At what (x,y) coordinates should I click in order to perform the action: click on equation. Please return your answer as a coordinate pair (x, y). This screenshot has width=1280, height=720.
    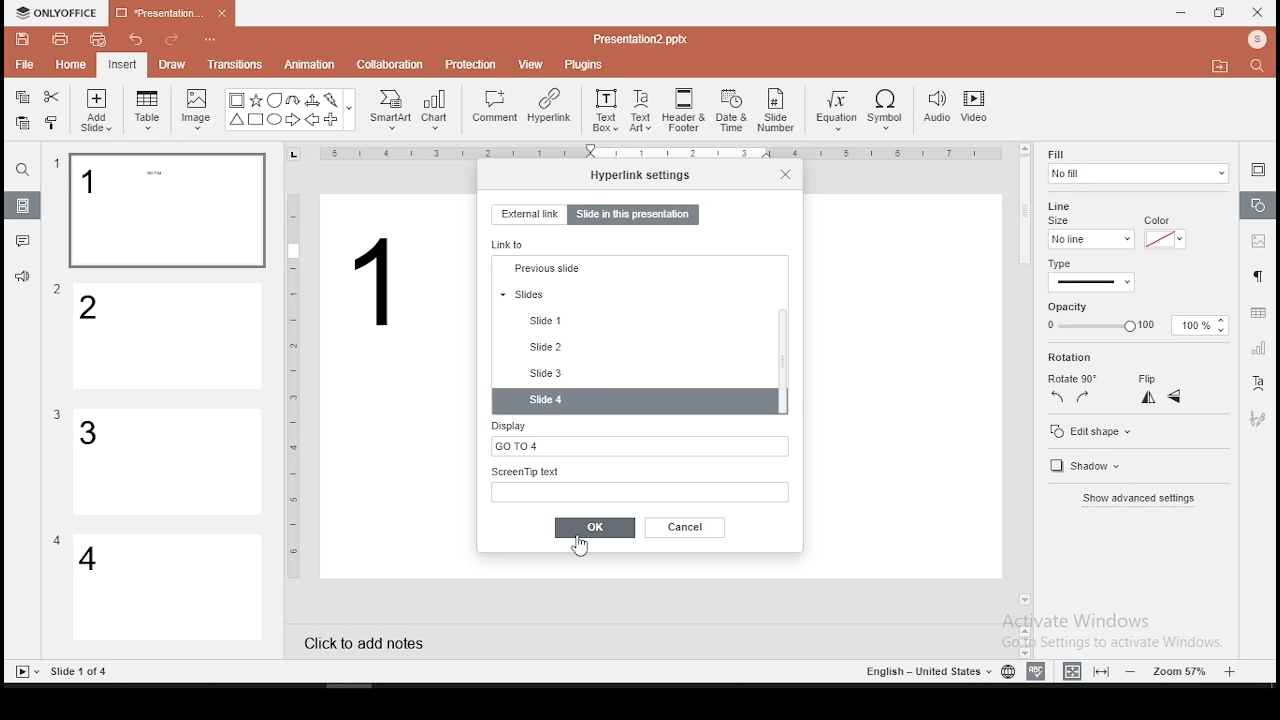
    Looking at the image, I should click on (835, 111).